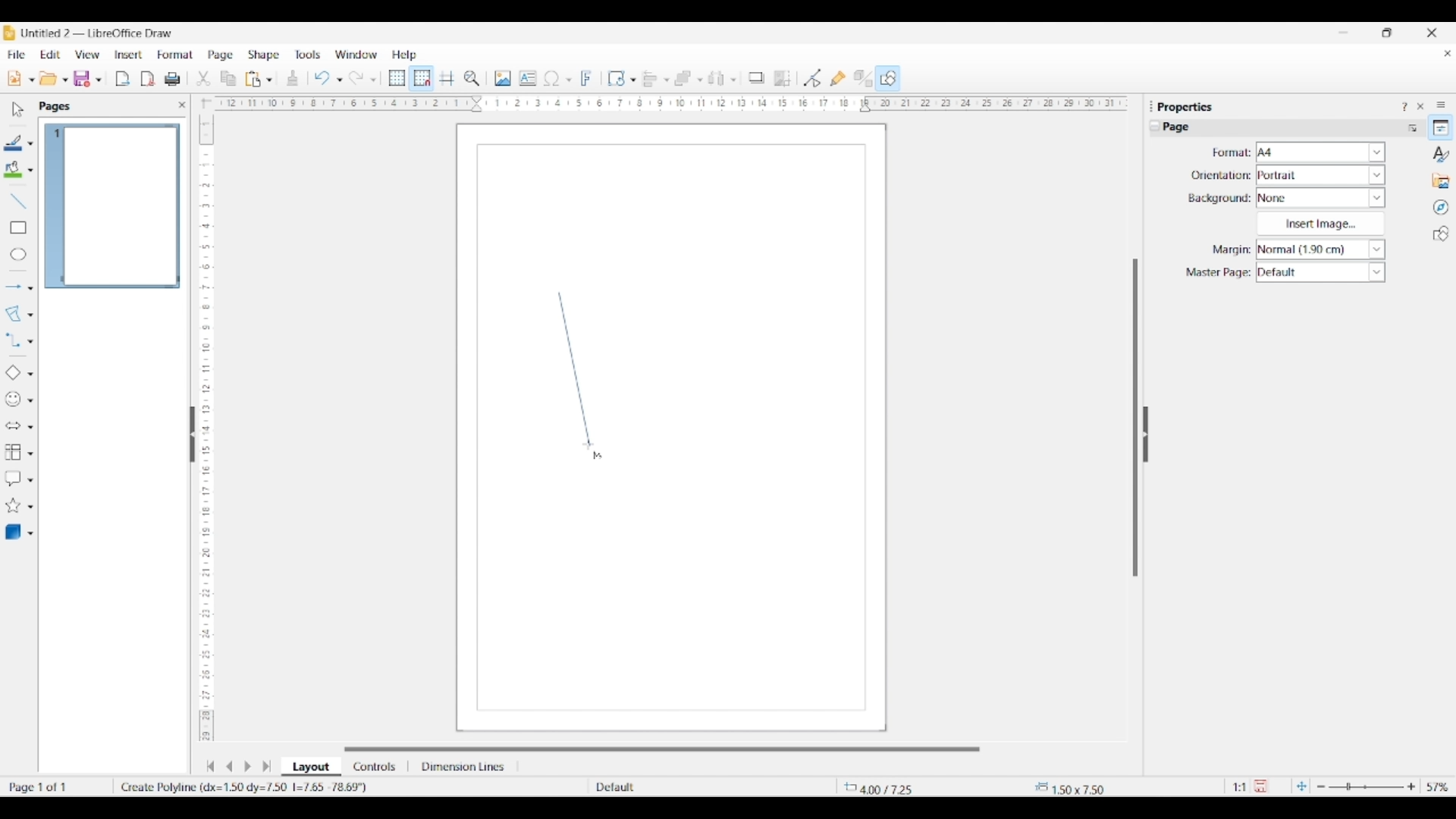 The width and height of the screenshot is (1456, 819). Describe the element at coordinates (172, 79) in the screenshot. I see `Print` at that location.